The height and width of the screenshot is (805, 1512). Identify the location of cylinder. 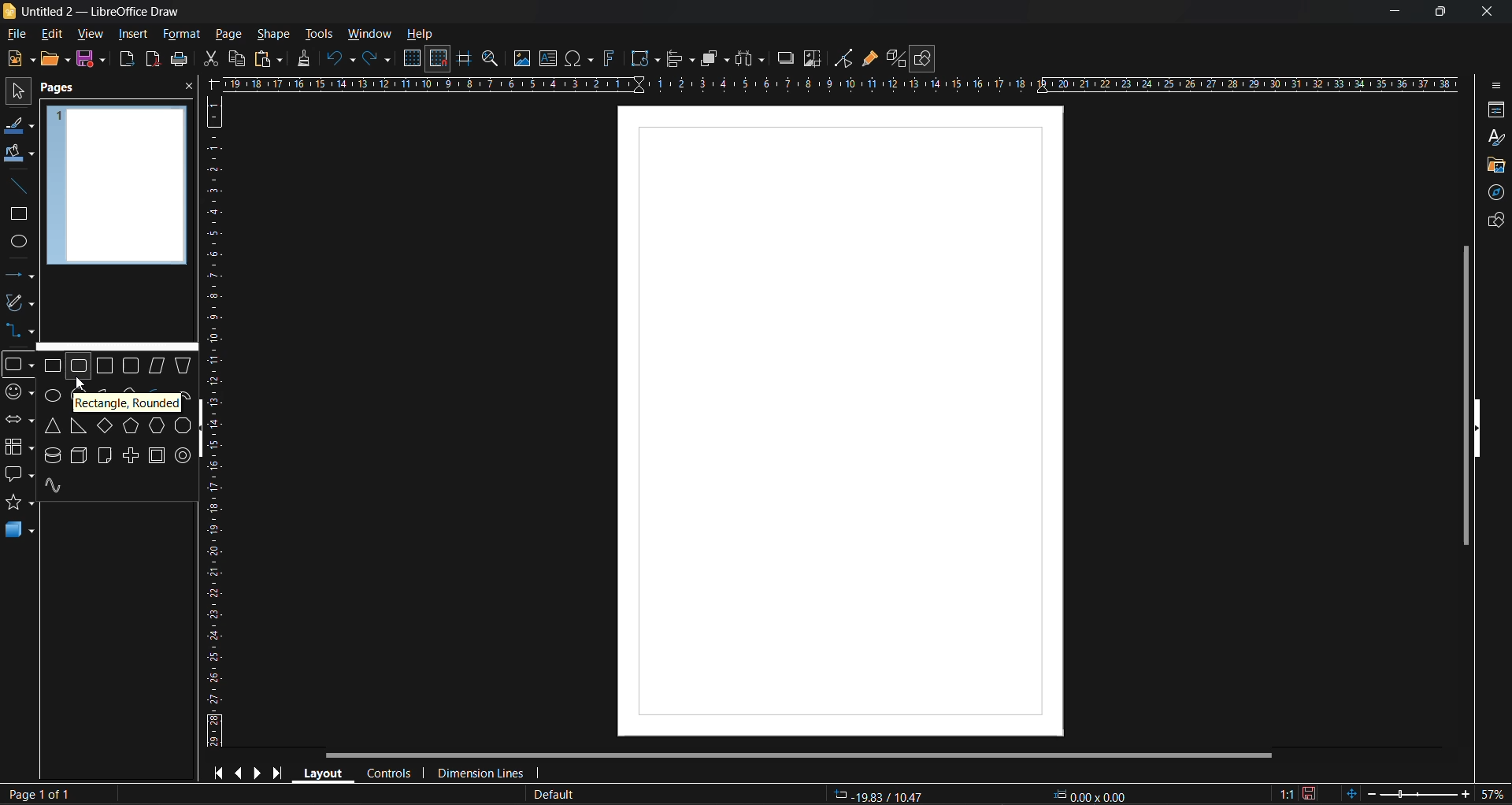
(54, 454).